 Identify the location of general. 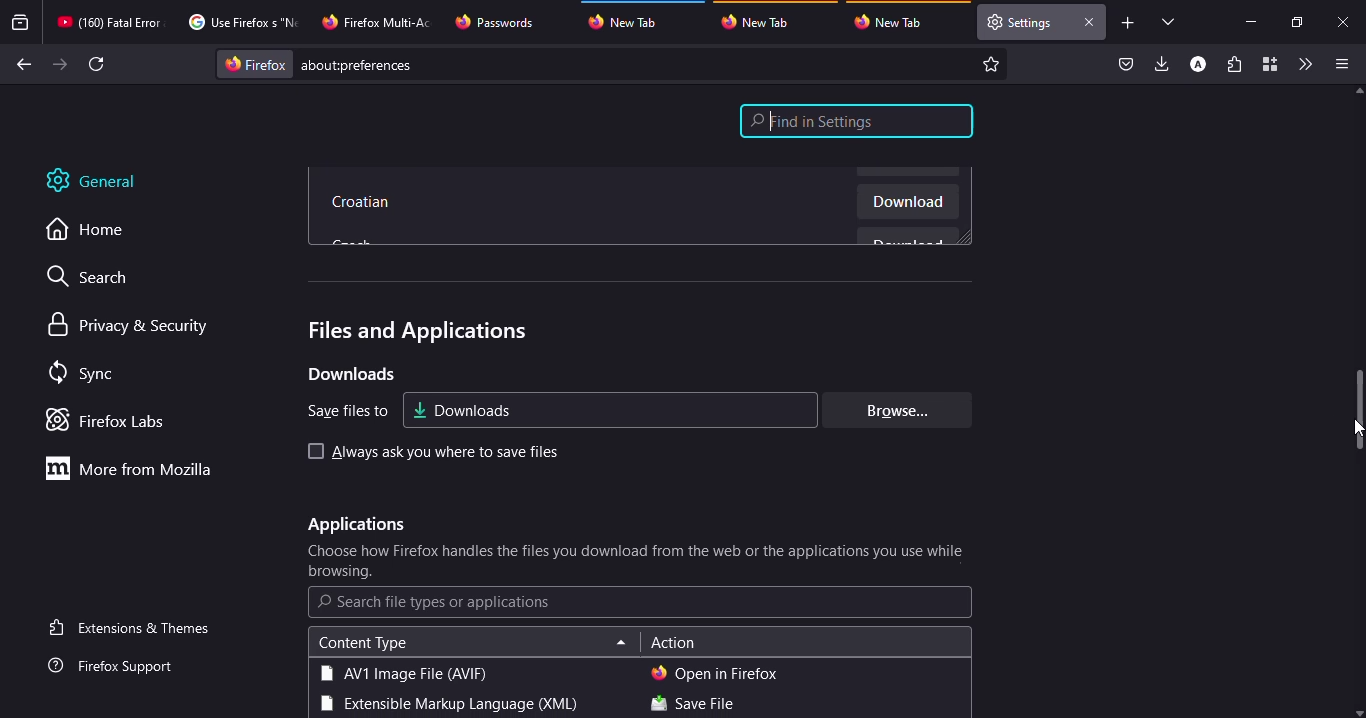
(105, 181).